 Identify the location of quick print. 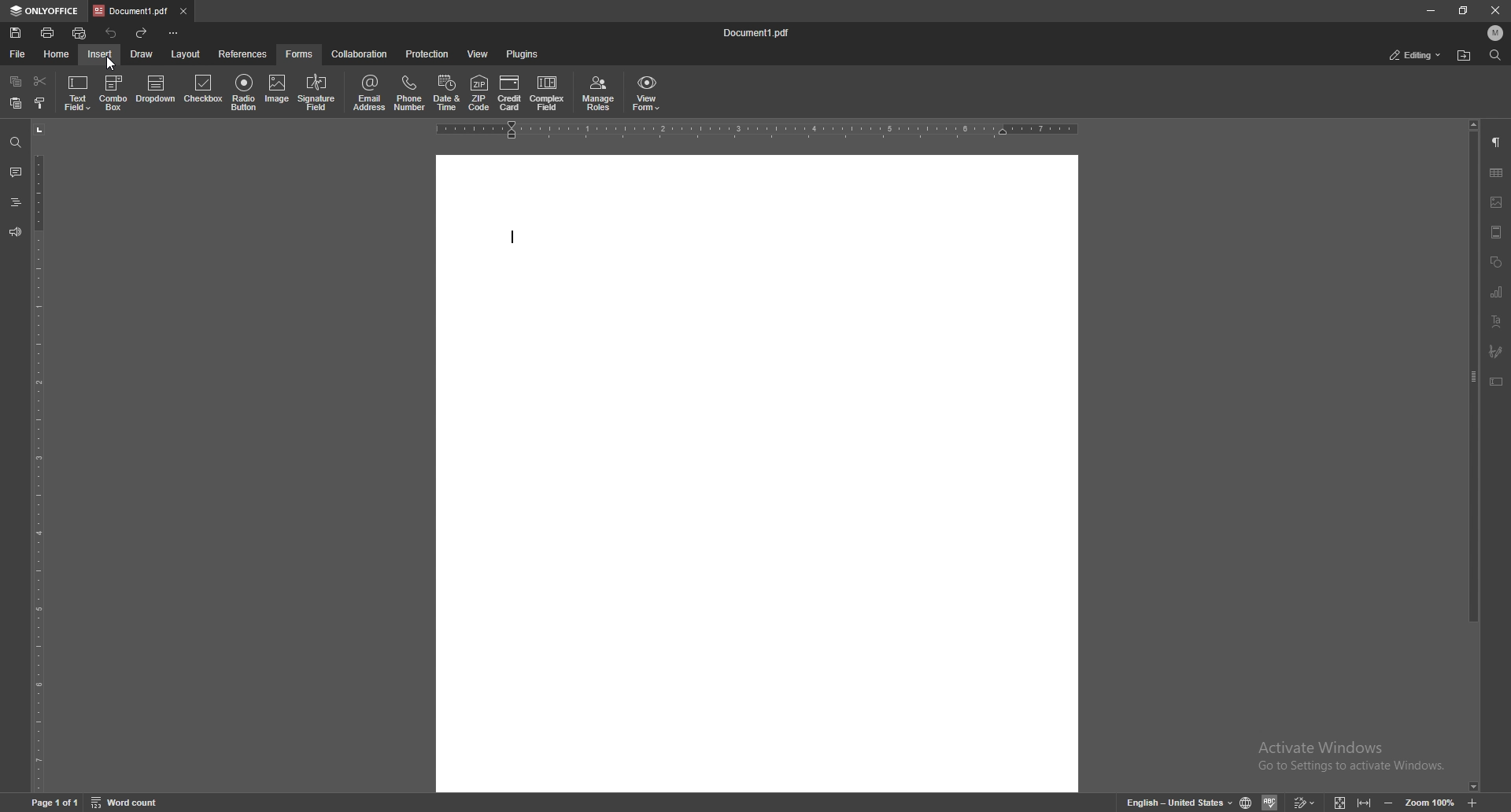
(82, 32).